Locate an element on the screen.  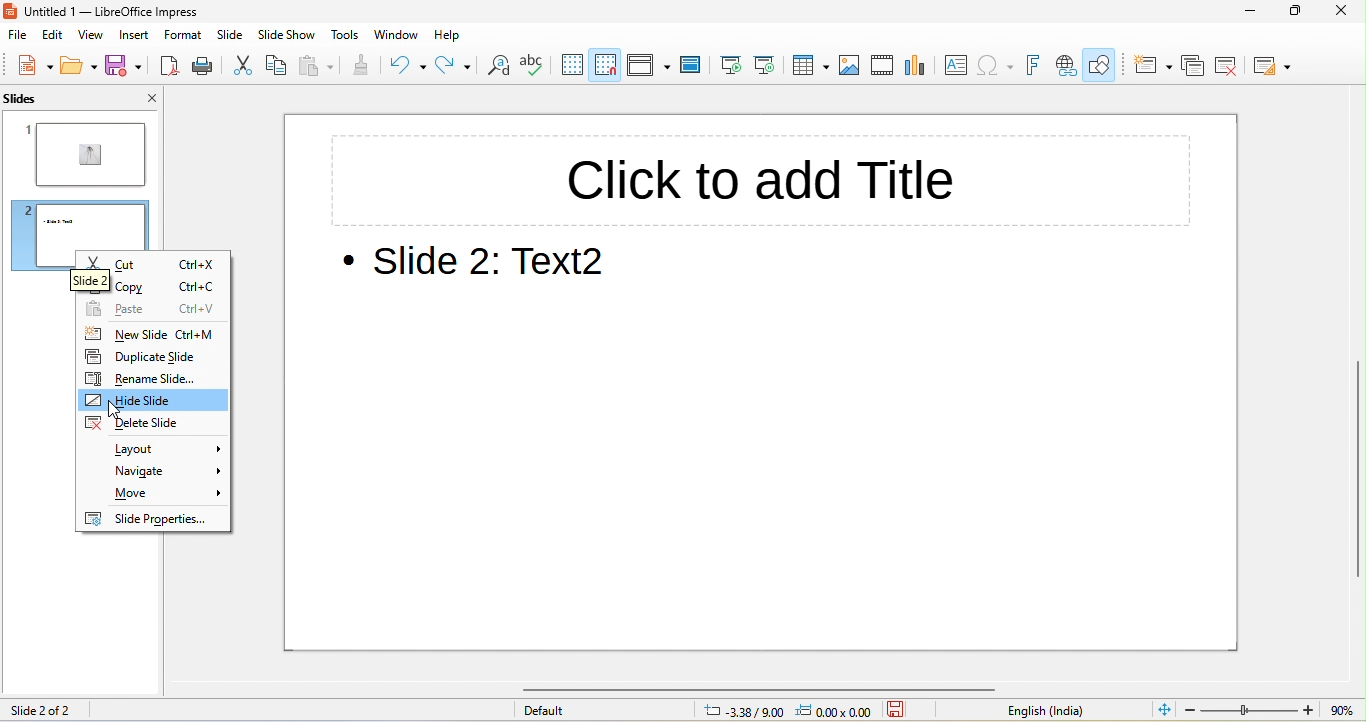
ctrl+x is located at coordinates (199, 264).